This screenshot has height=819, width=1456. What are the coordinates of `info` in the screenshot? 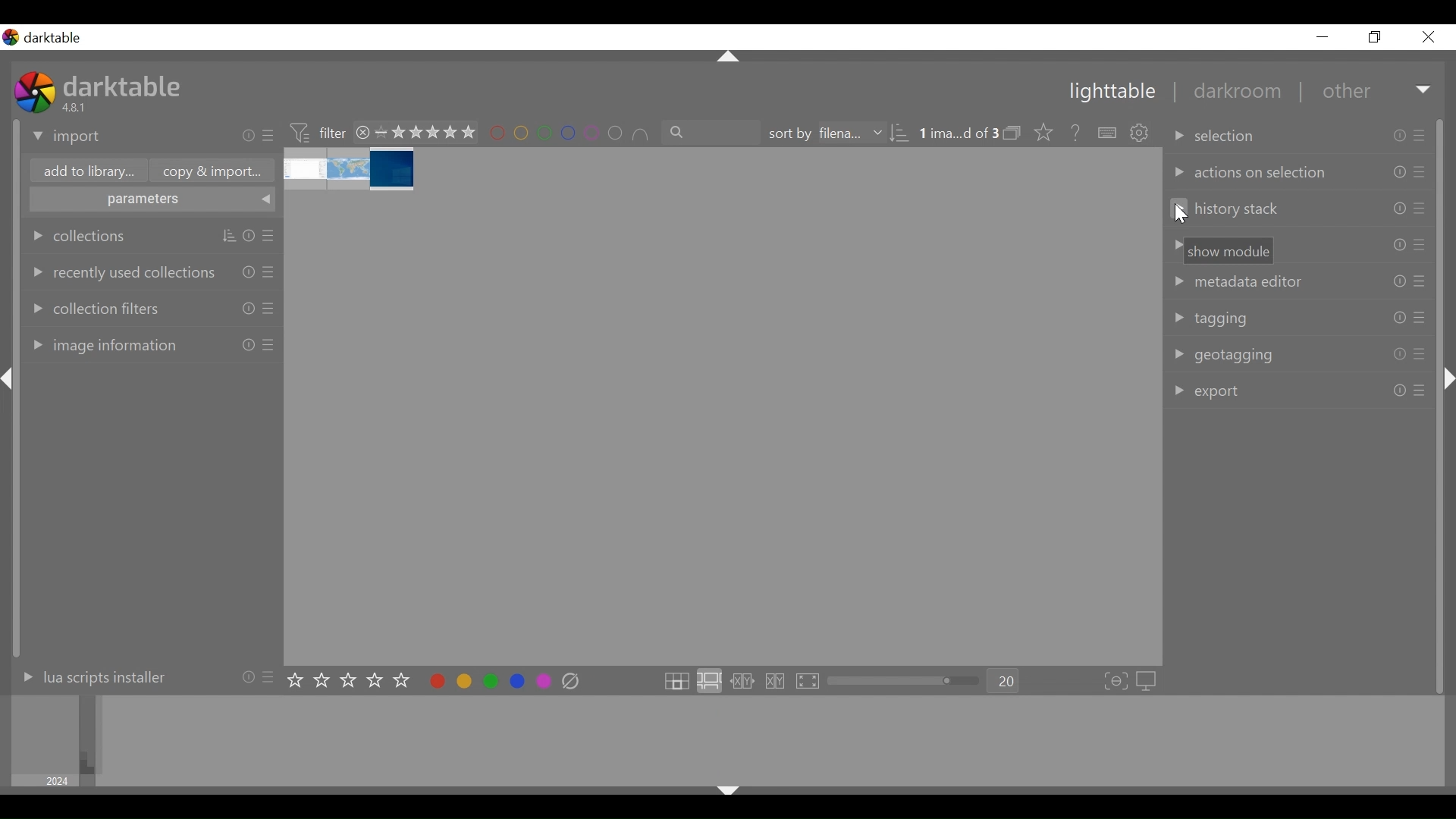 It's located at (249, 344).